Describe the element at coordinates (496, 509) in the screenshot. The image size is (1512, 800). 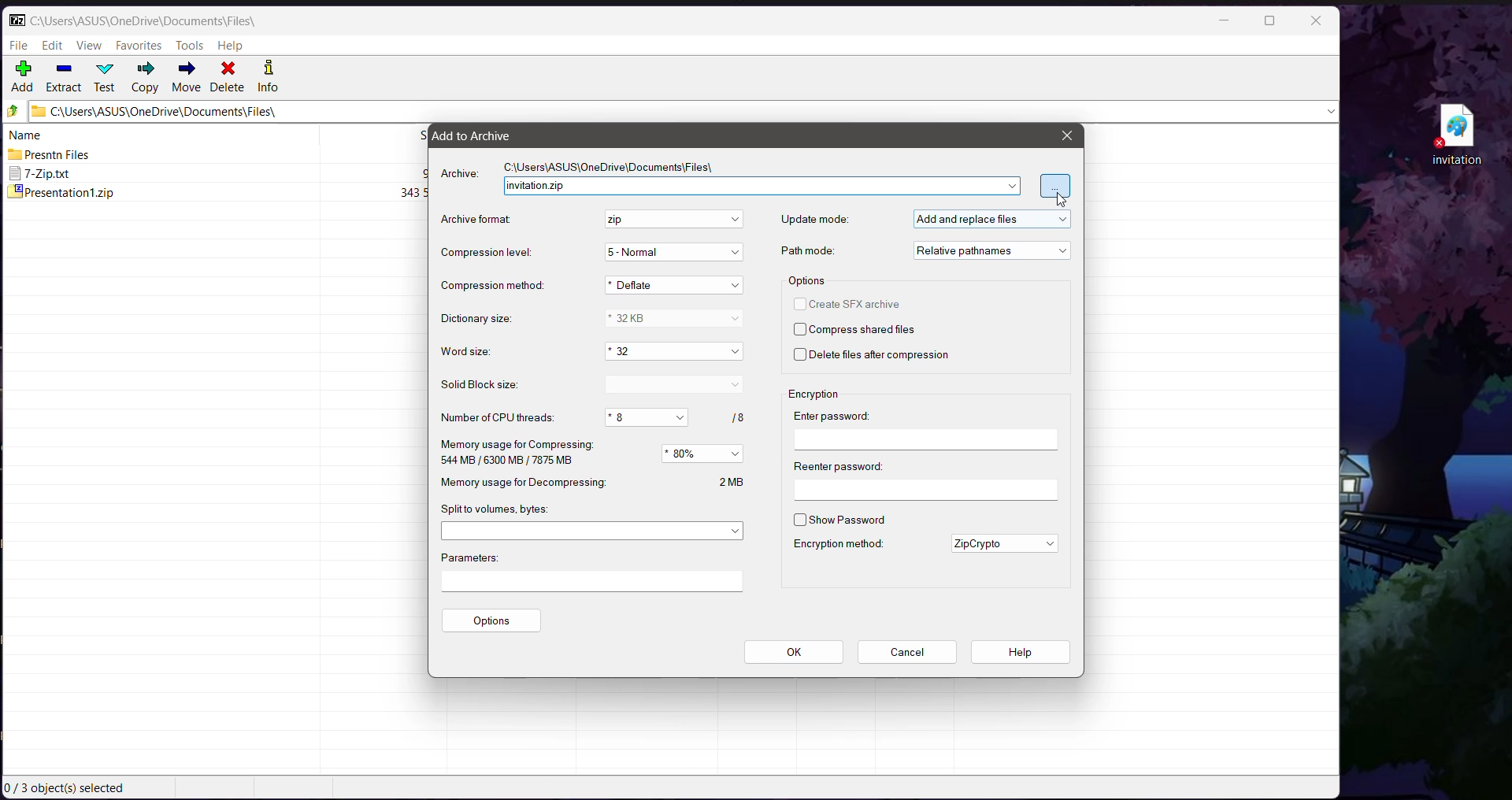
I see `Split to volumes, bytes` at that location.